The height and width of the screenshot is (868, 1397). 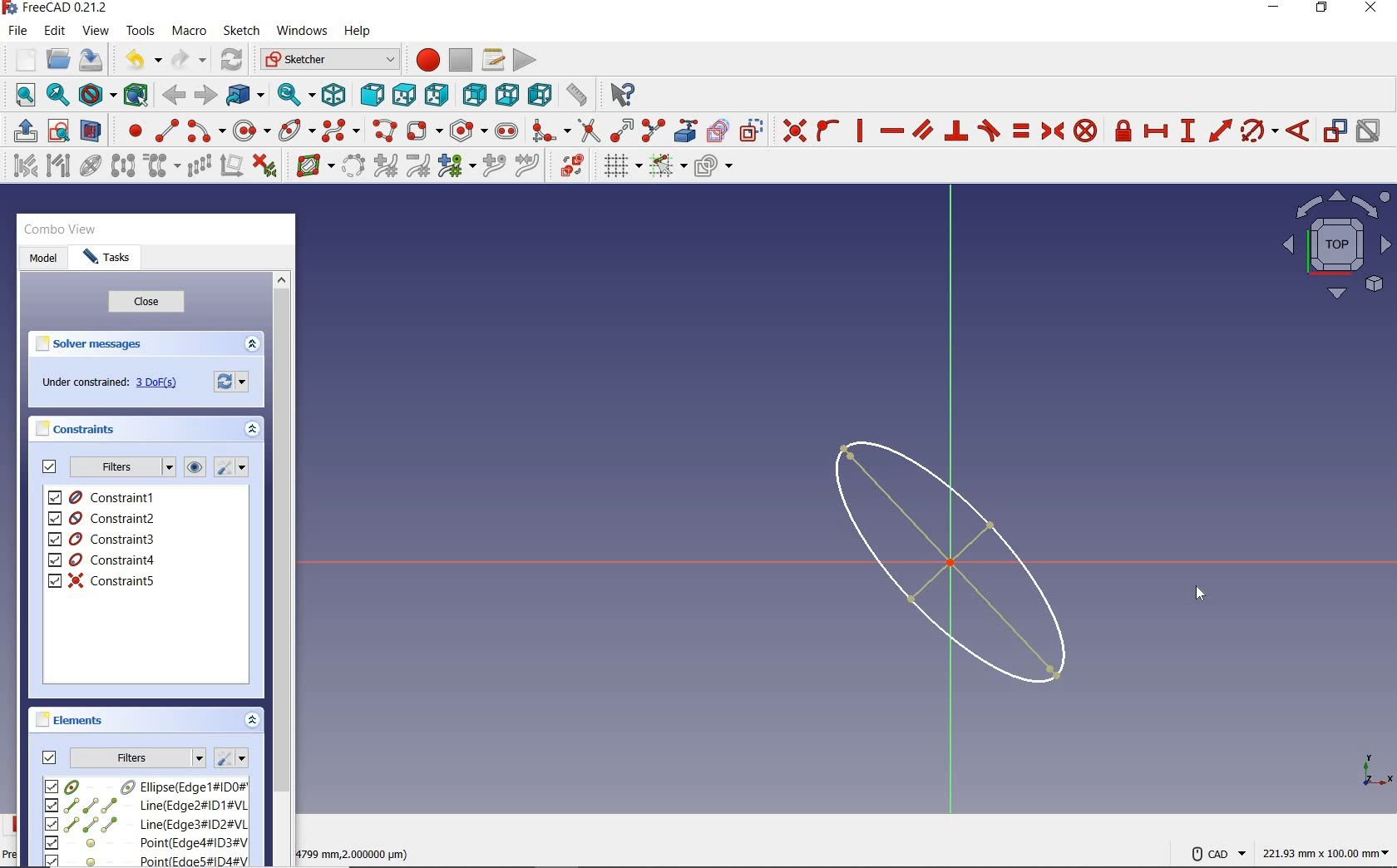 What do you see at coordinates (491, 58) in the screenshot?
I see `macros` at bounding box center [491, 58].